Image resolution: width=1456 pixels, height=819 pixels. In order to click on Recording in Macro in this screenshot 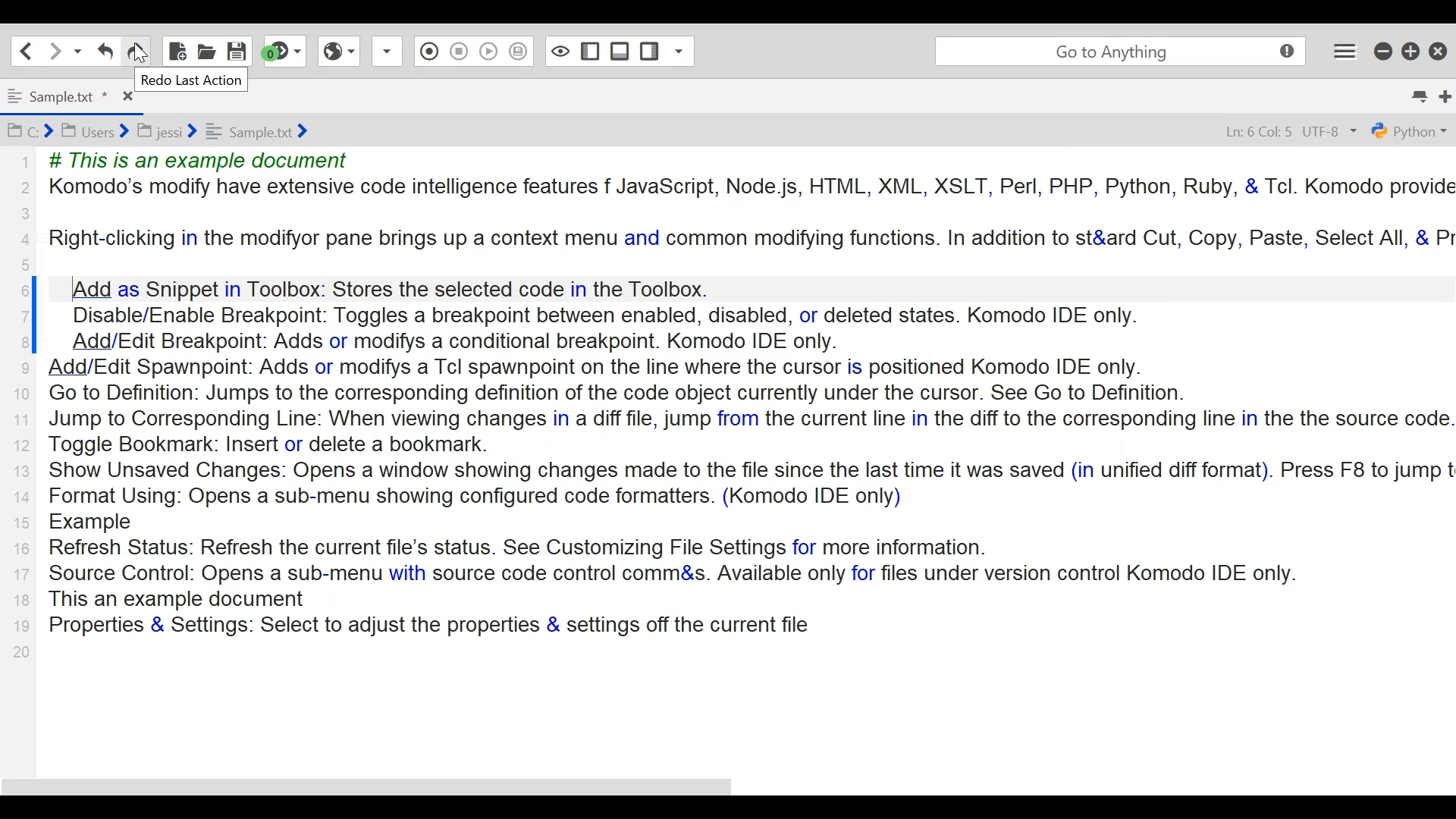, I will do `click(426, 50)`.